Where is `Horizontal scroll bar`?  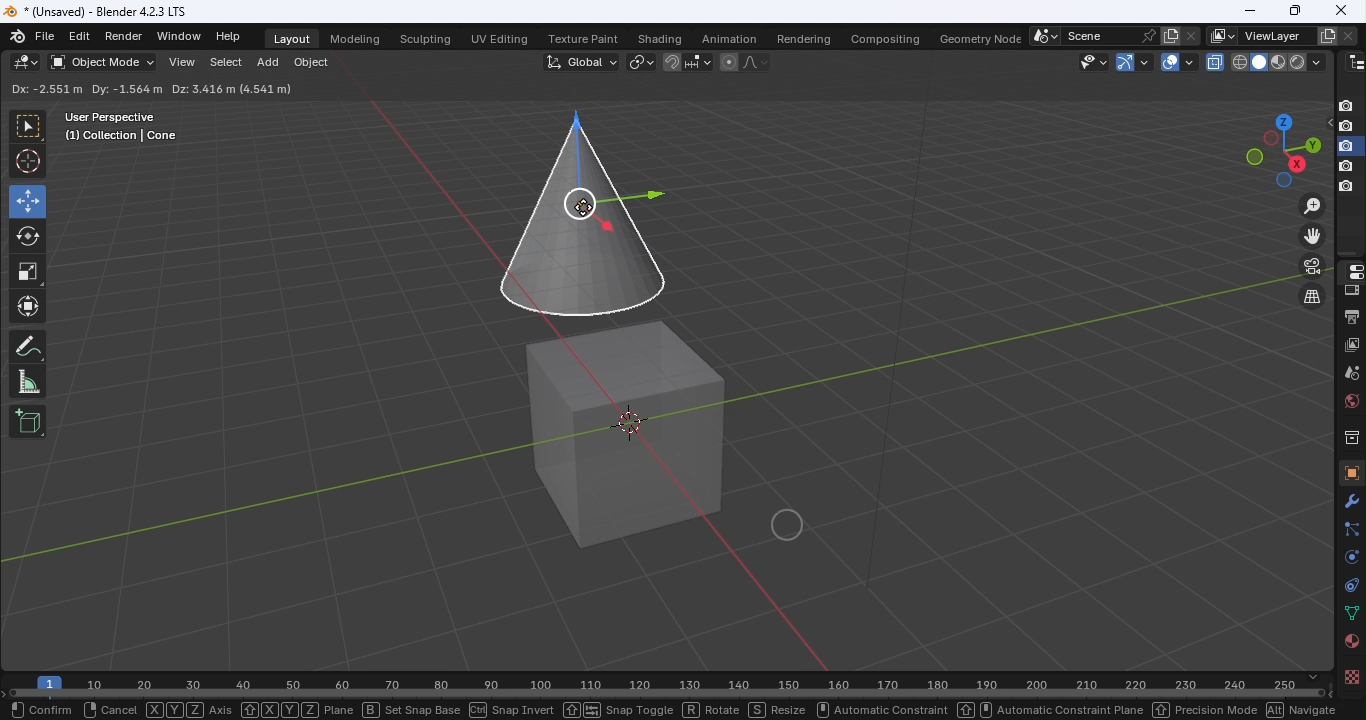 Horizontal scroll bar is located at coordinates (669, 694).